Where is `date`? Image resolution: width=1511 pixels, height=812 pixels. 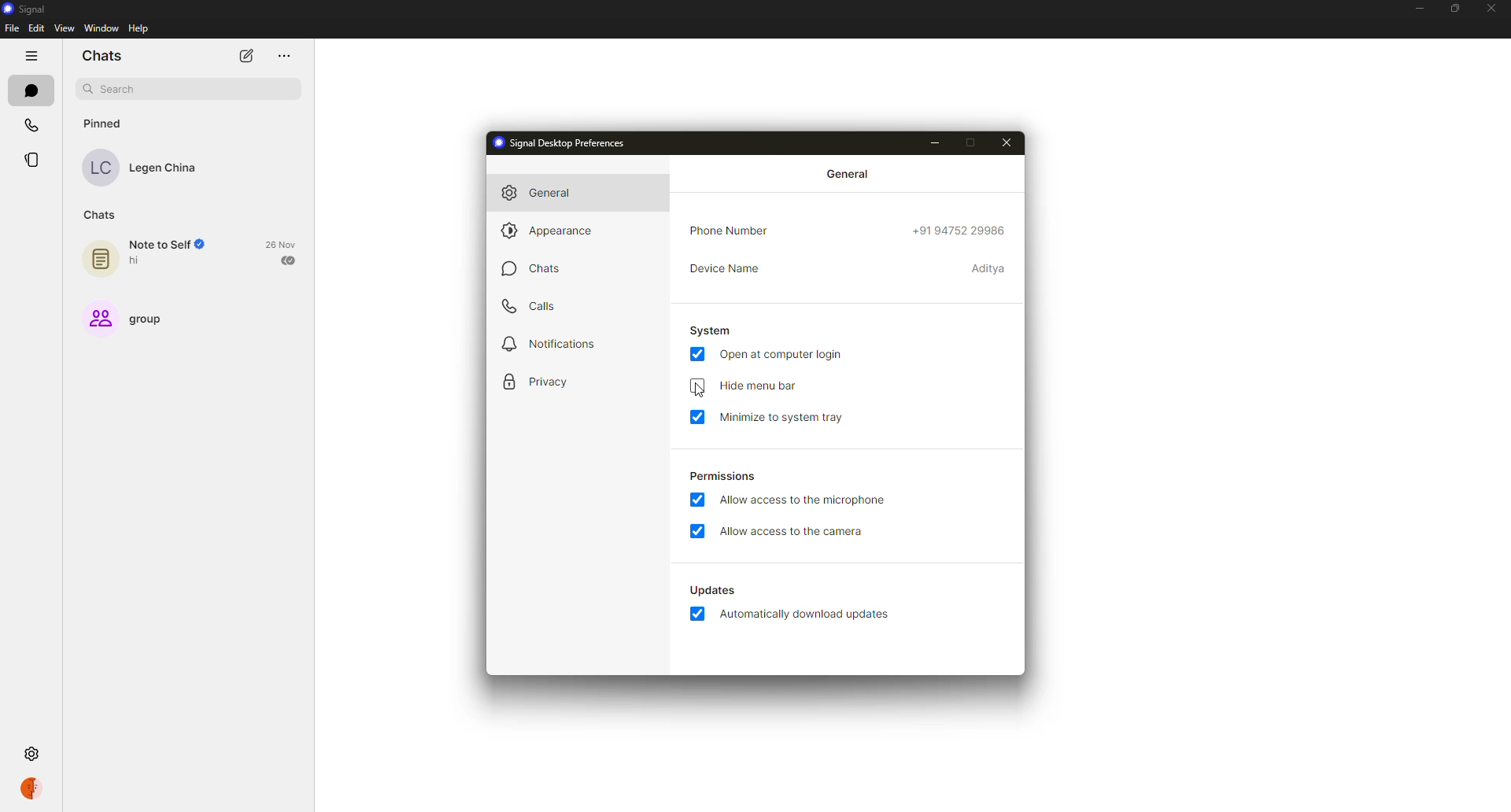 date is located at coordinates (283, 244).